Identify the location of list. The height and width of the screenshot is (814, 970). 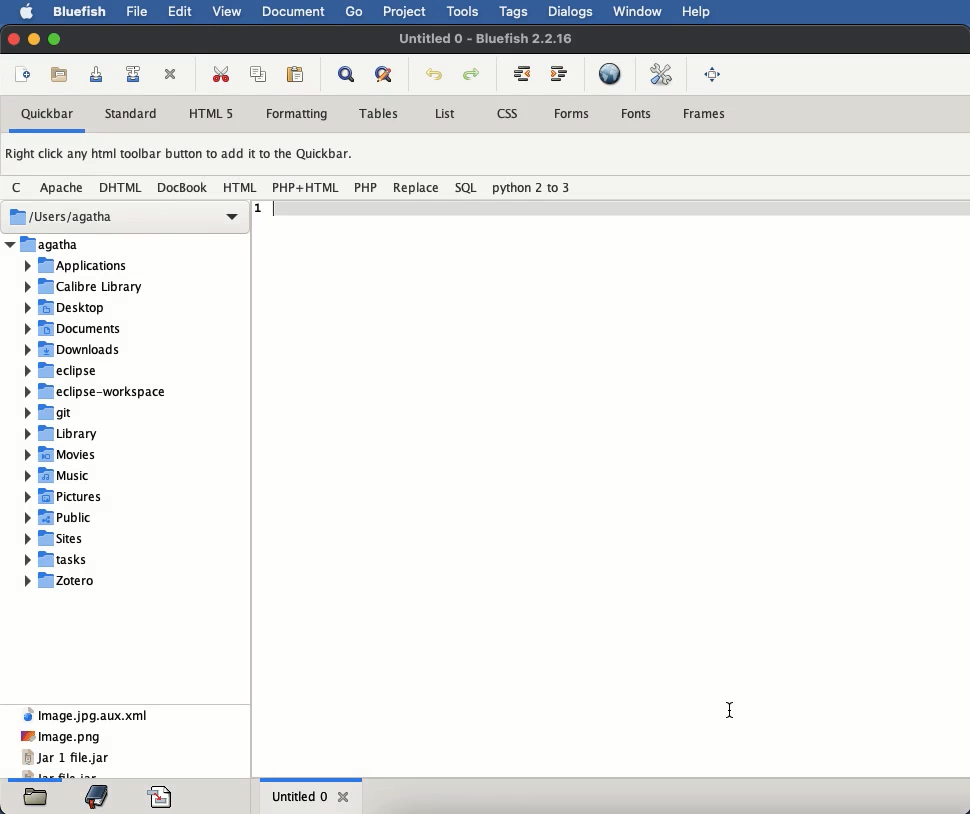
(444, 113).